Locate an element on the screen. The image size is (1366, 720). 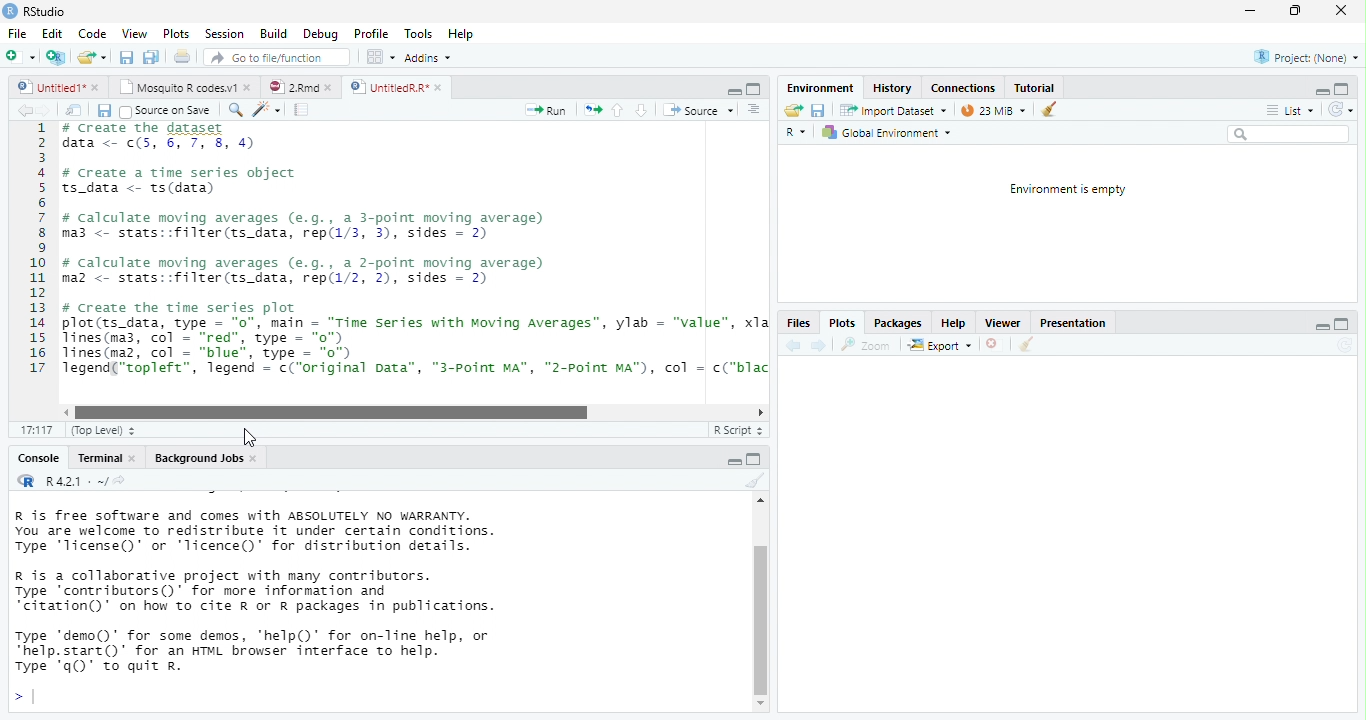
RStudio is located at coordinates (36, 10).